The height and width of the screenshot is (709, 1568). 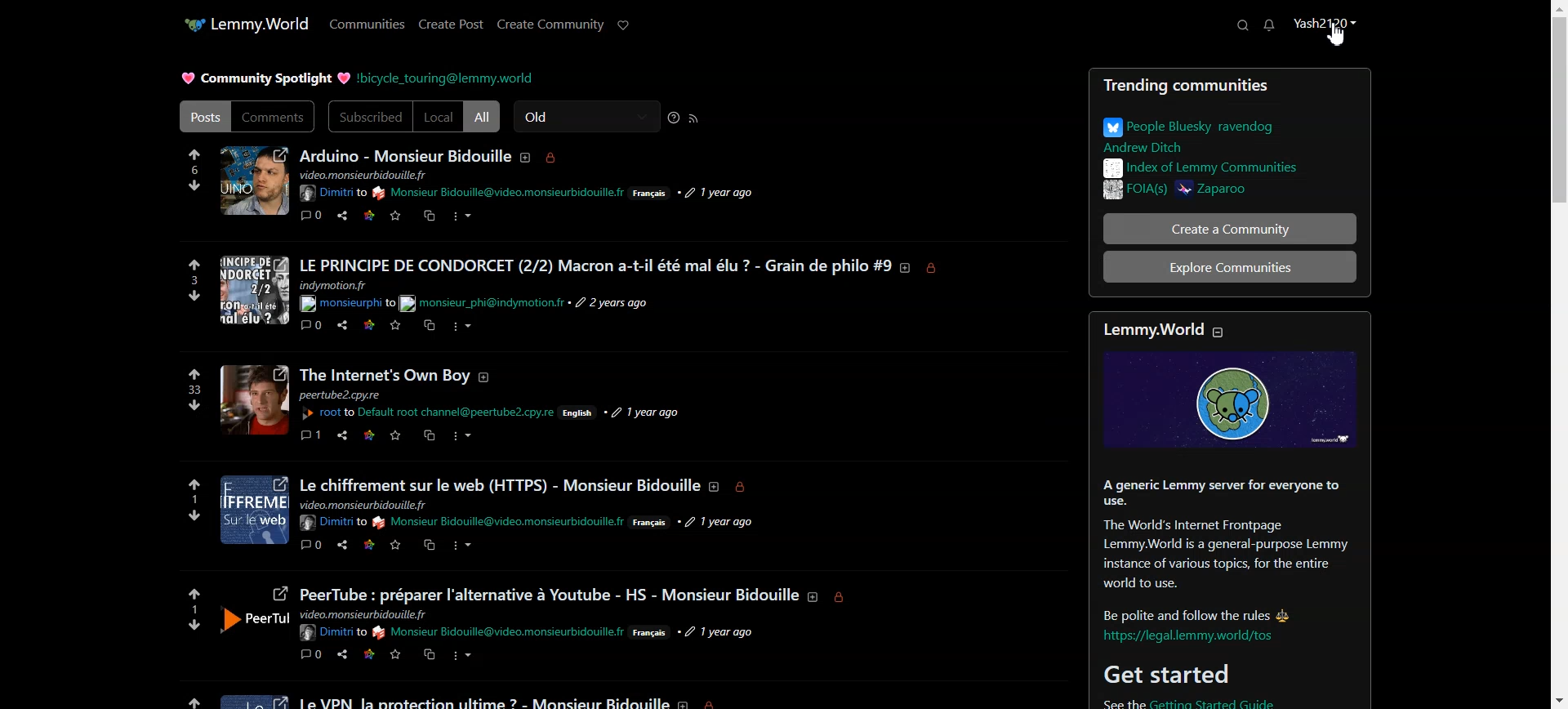 What do you see at coordinates (194, 168) in the screenshot?
I see `6` at bounding box center [194, 168].